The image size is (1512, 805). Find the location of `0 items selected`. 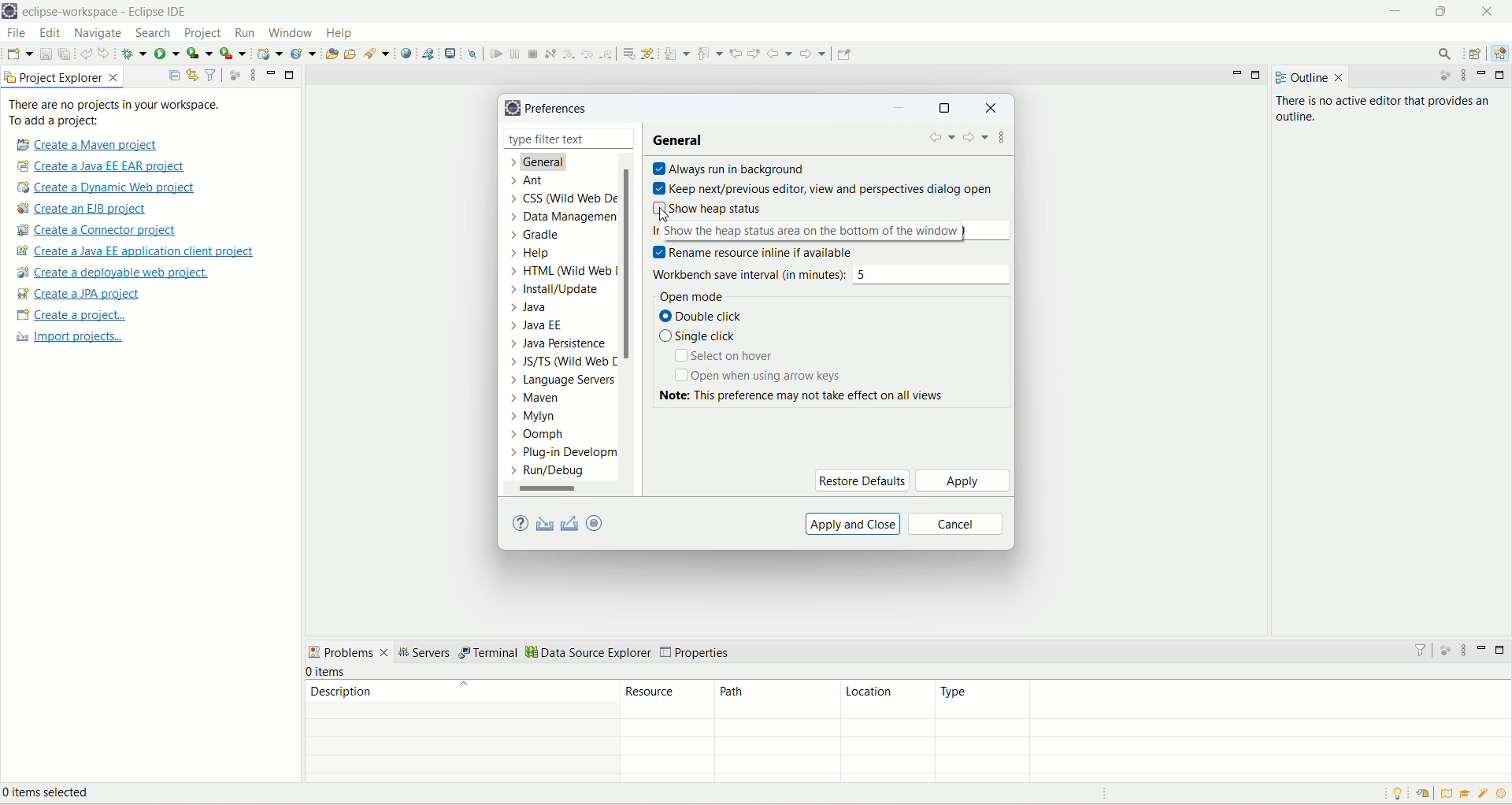

0 items selected is located at coordinates (57, 795).